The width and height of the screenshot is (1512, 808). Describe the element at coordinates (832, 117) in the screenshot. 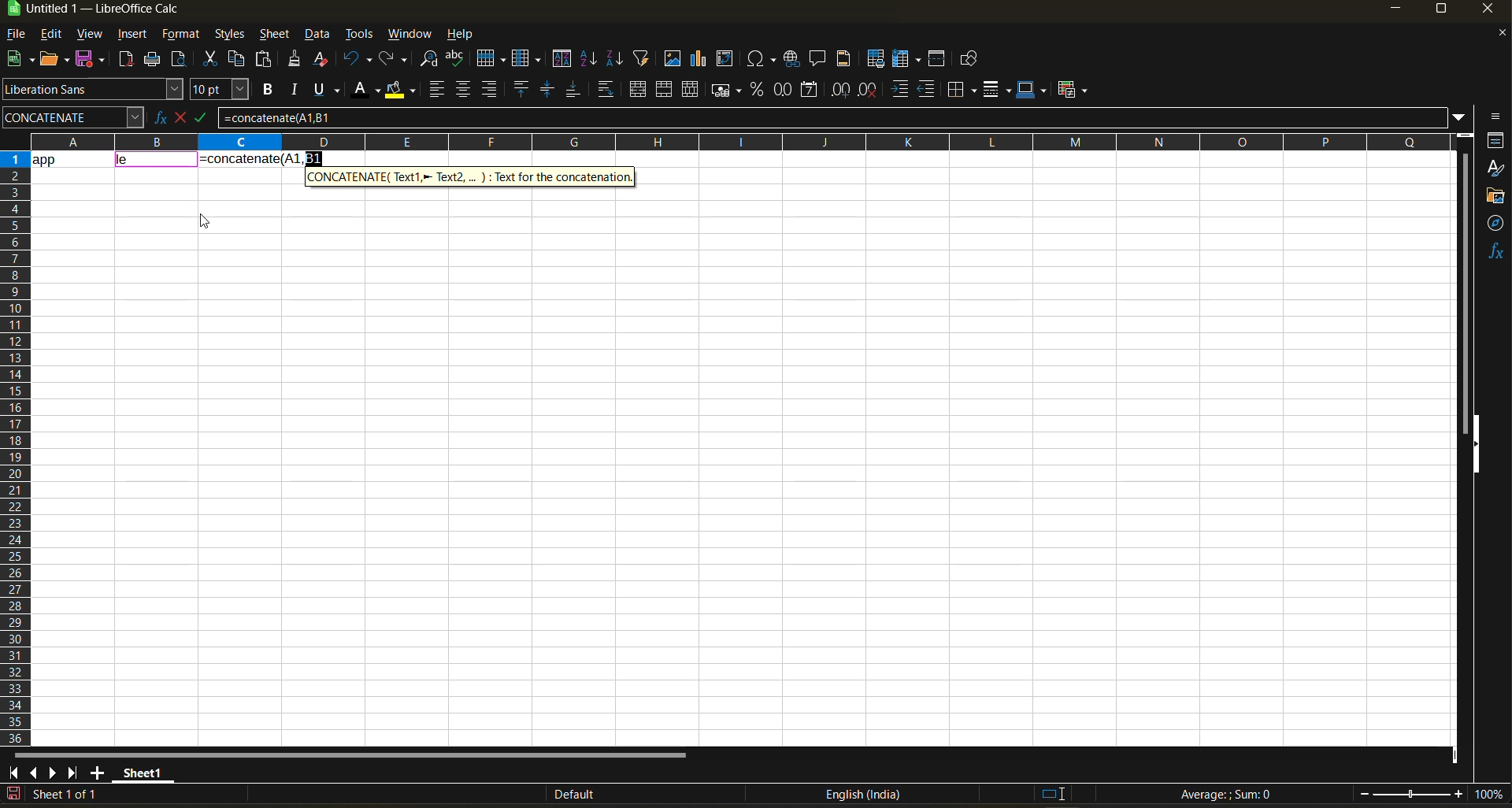

I see `=concatenate(A1, B1` at that location.